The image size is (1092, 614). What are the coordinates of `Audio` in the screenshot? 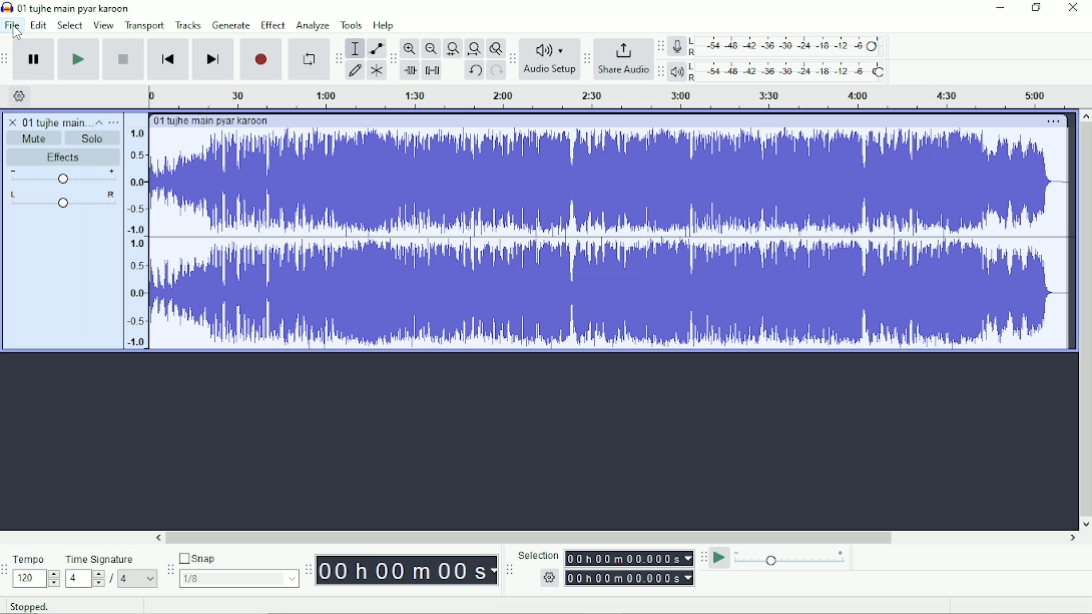 It's located at (597, 240).